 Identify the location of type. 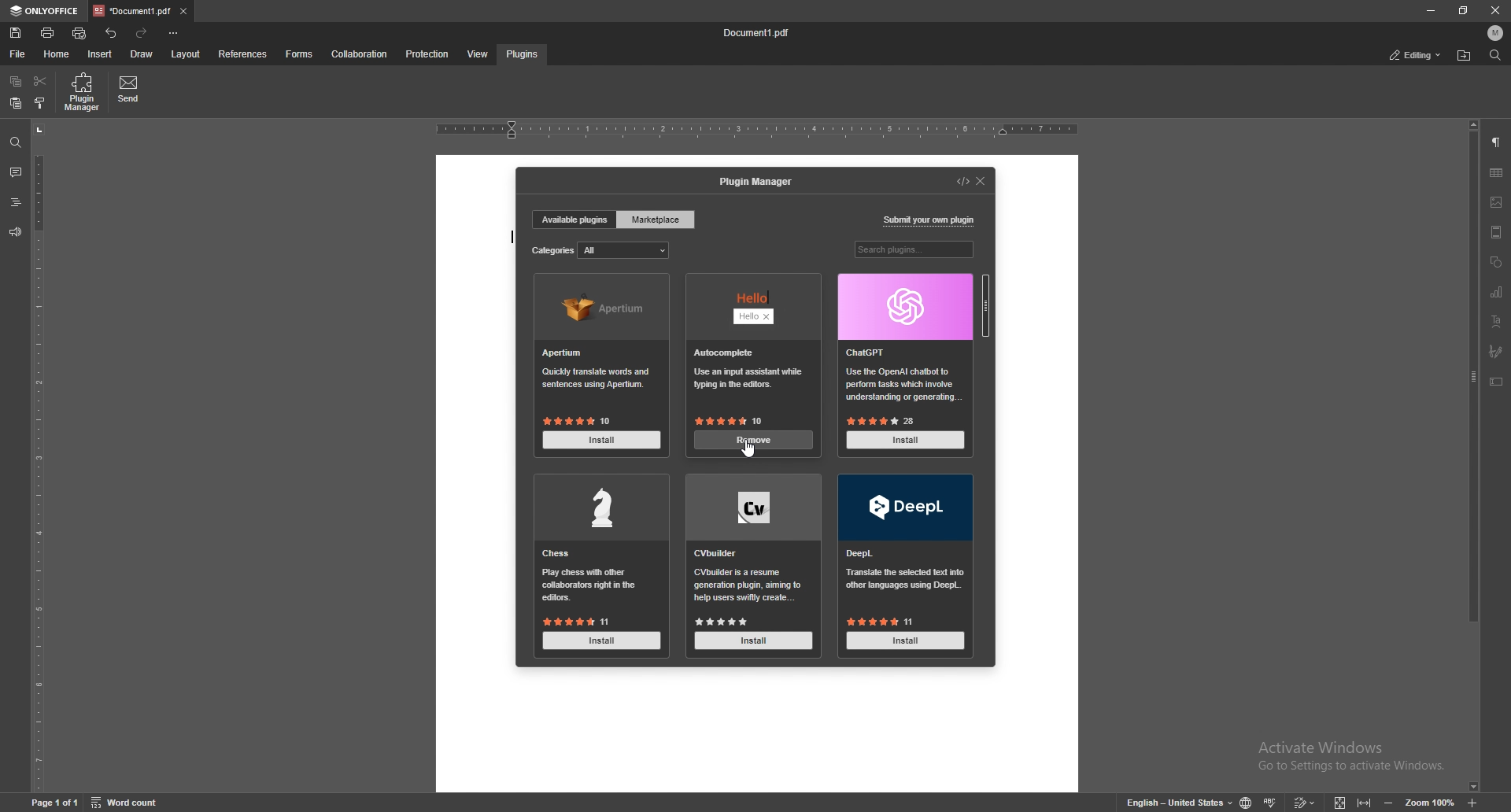
(507, 238).